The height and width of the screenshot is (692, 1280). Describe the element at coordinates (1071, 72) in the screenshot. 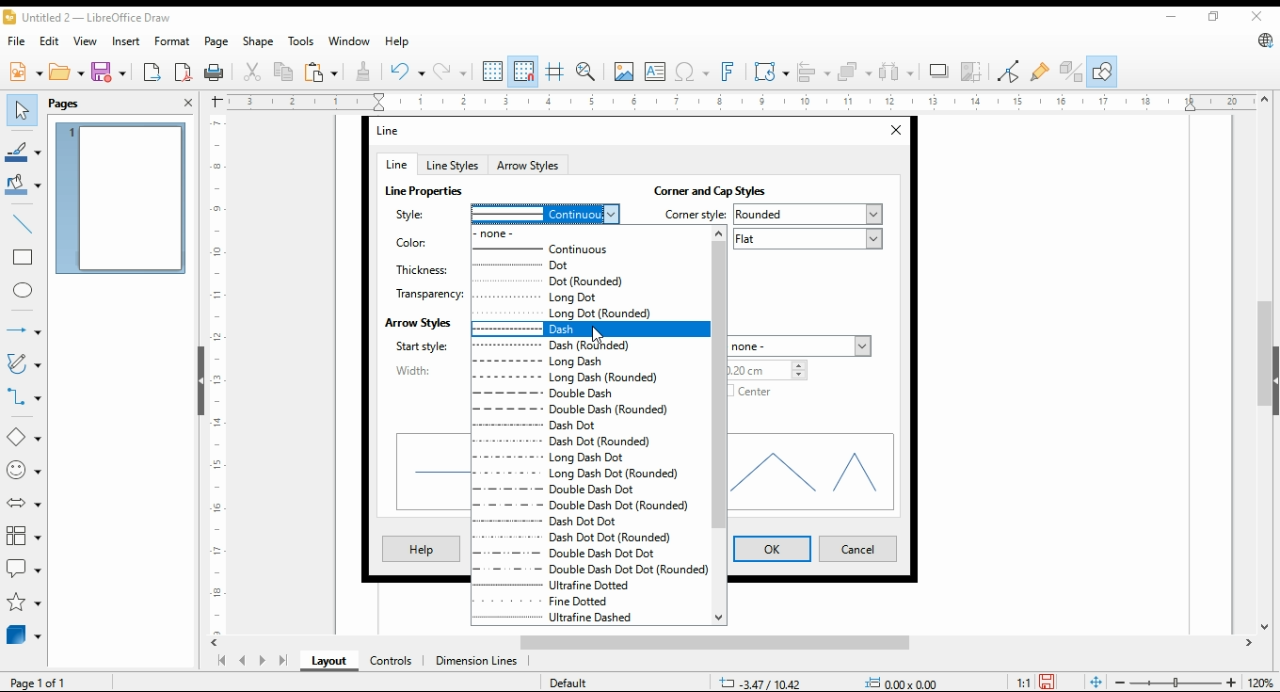

I see `toggle extrusions` at that location.